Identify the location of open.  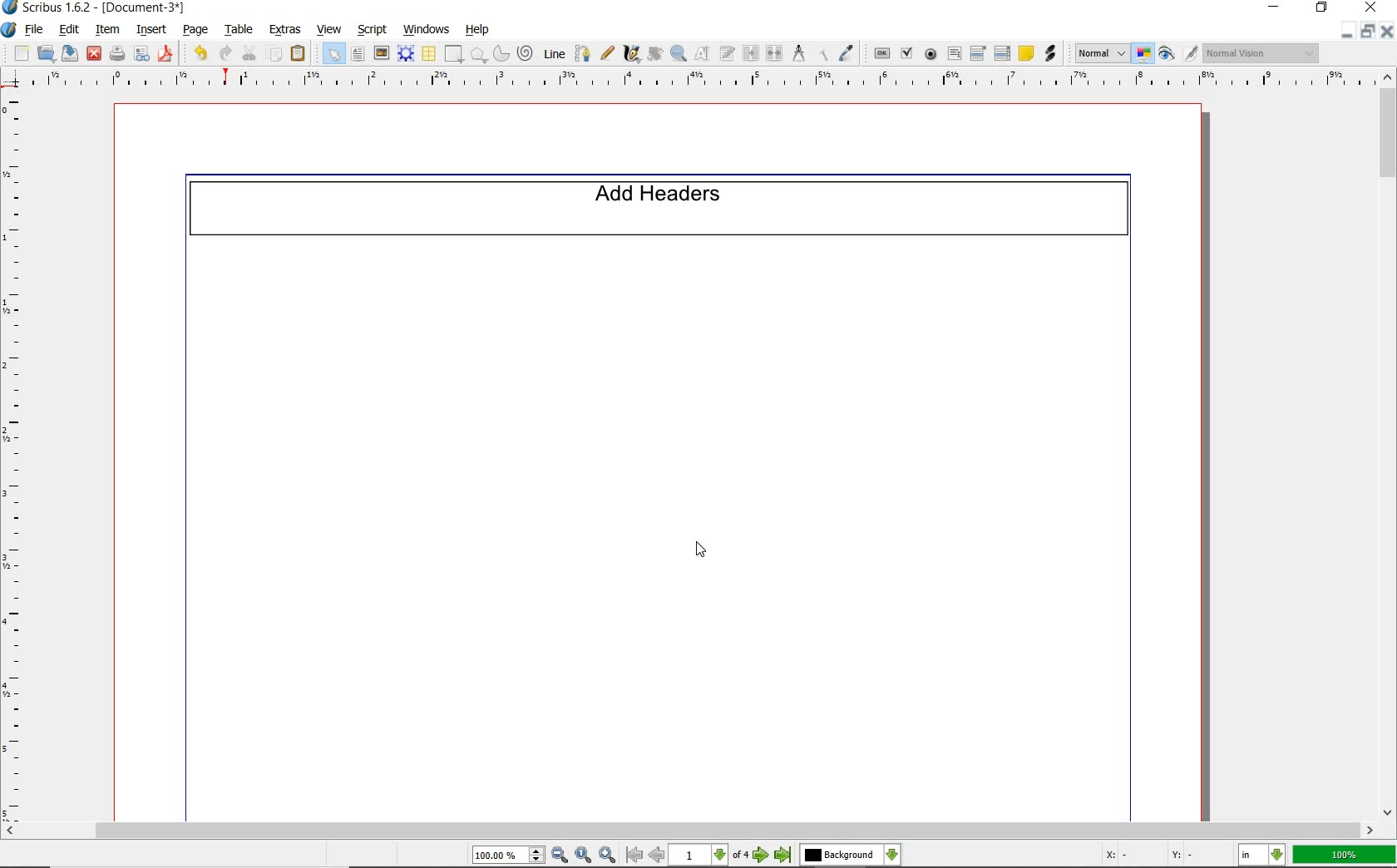
(46, 52).